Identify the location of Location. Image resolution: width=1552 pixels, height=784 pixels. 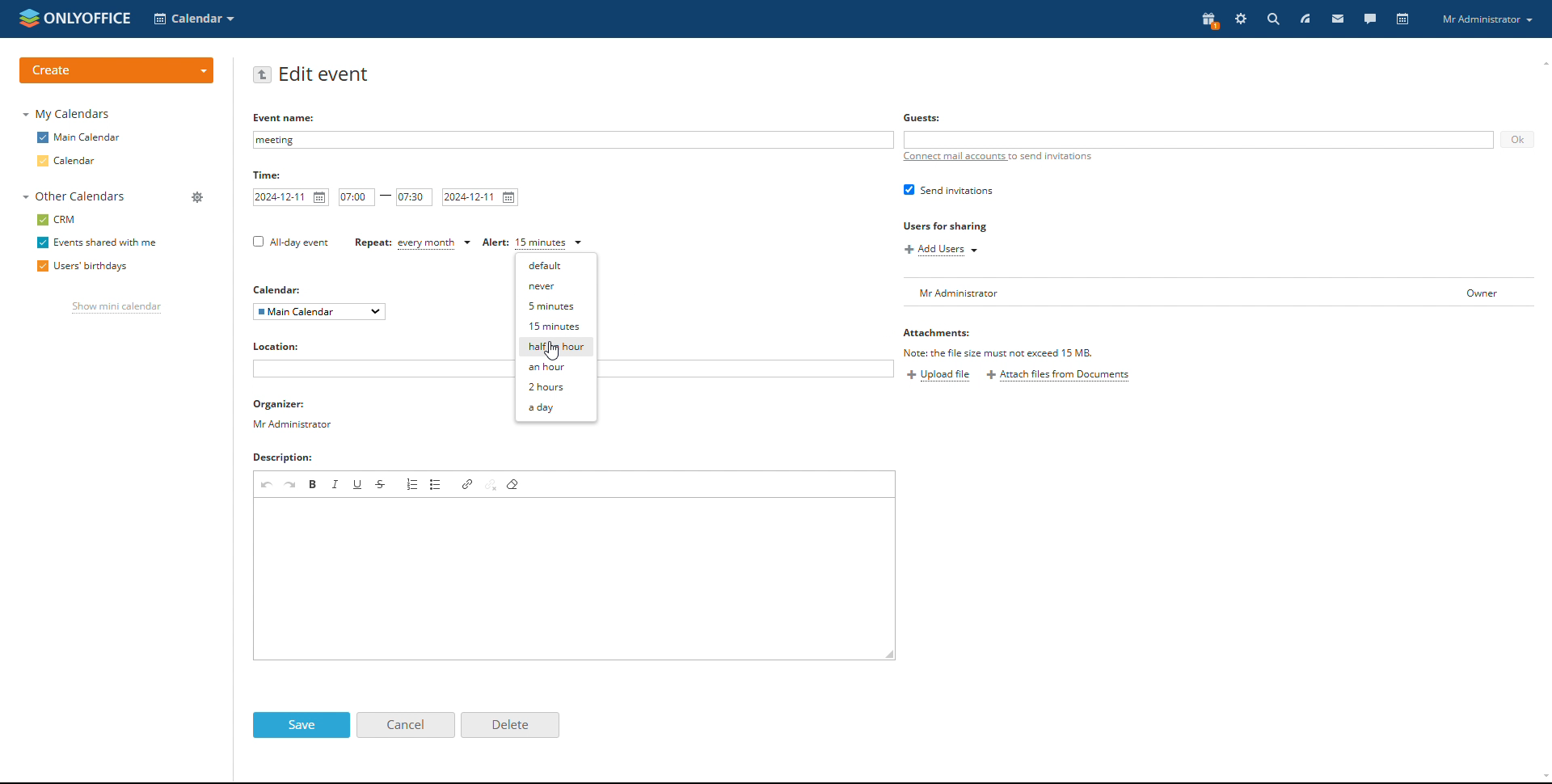
(279, 348).